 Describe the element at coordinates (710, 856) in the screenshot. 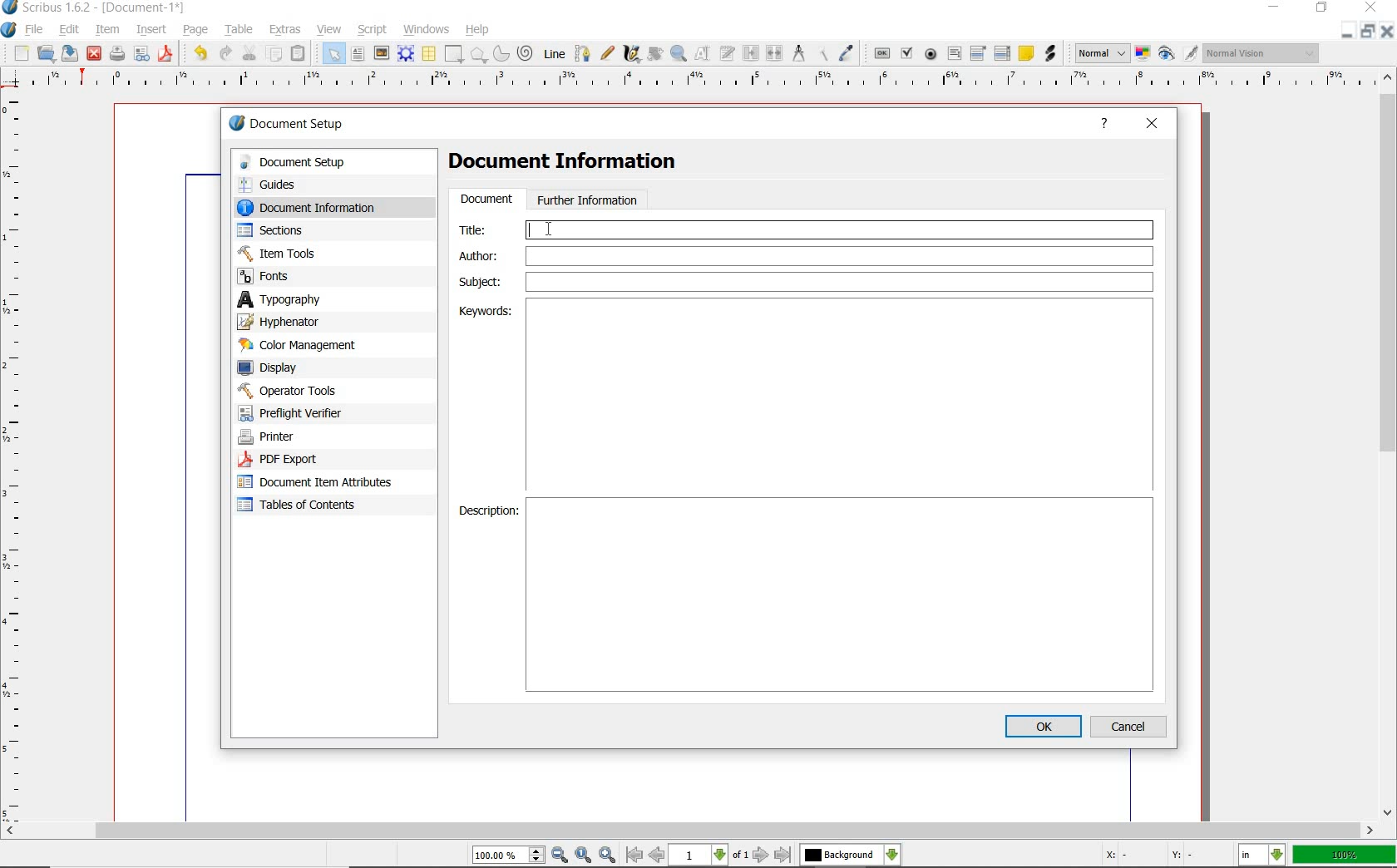

I see `move to next or previous page` at that location.